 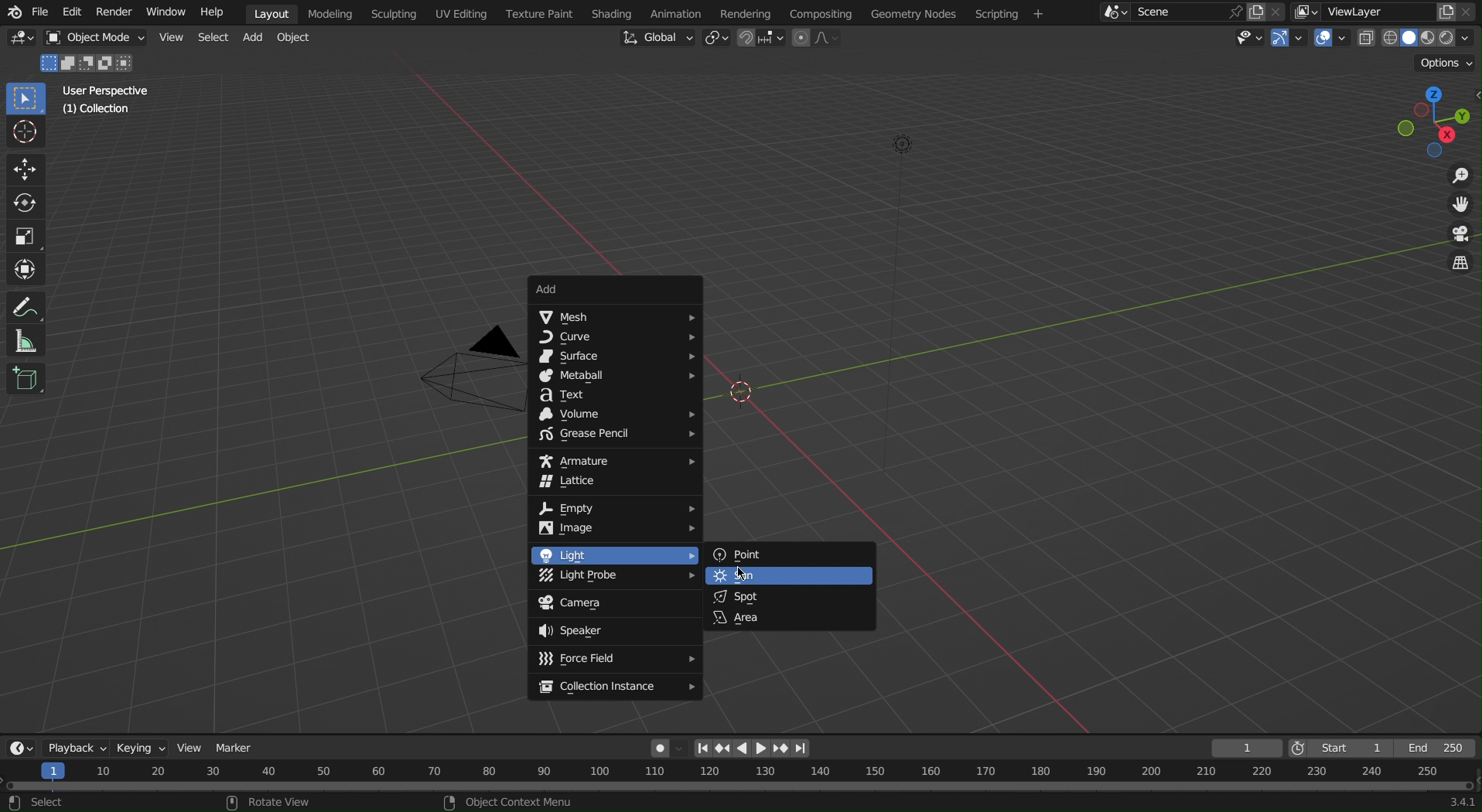 What do you see at coordinates (164, 13) in the screenshot?
I see `Window` at bounding box center [164, 13].